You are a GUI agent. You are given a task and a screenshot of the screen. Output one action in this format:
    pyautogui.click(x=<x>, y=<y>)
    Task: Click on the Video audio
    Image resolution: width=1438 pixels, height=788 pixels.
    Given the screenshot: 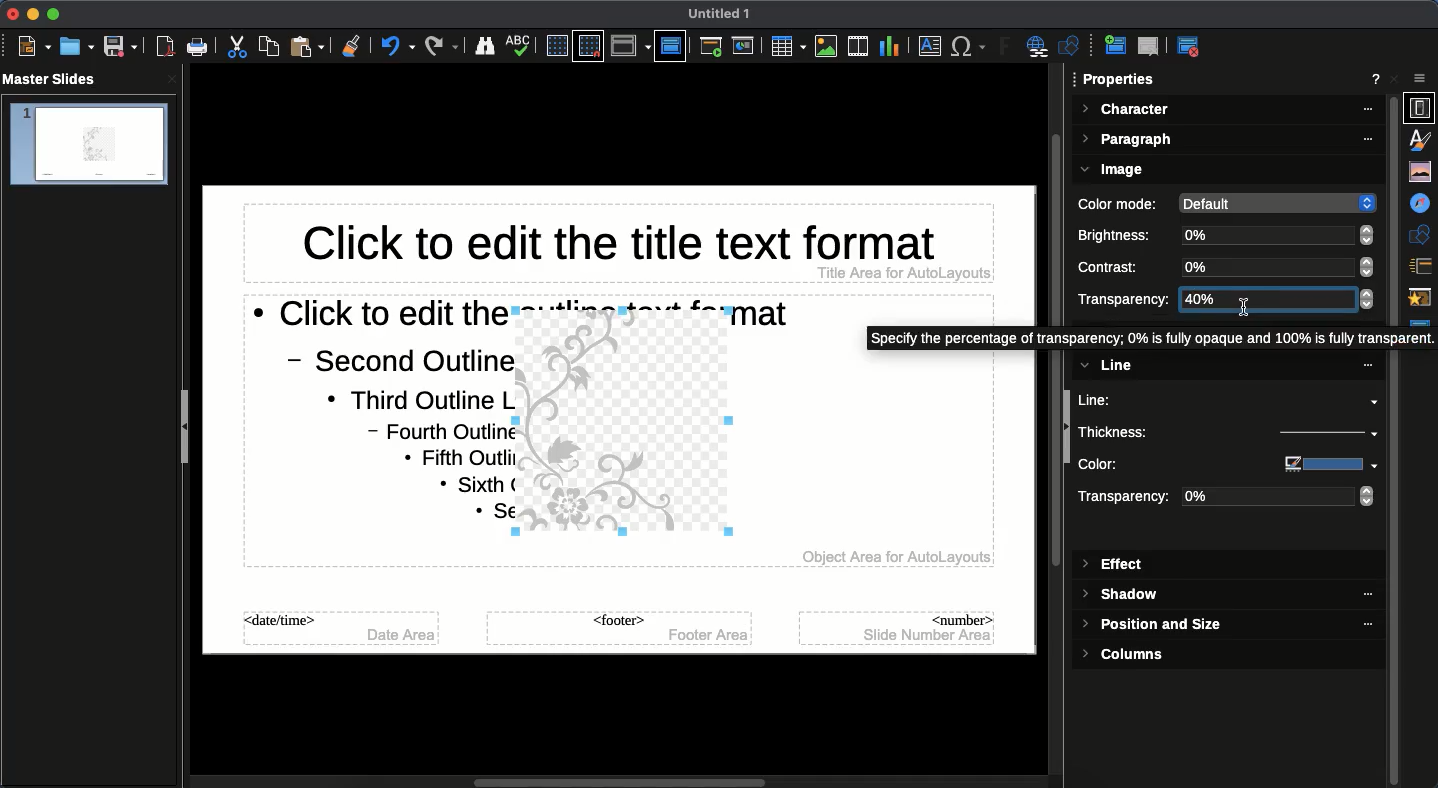 What is the action you would take?
    pyautogui.click(x=856, y=47)
    